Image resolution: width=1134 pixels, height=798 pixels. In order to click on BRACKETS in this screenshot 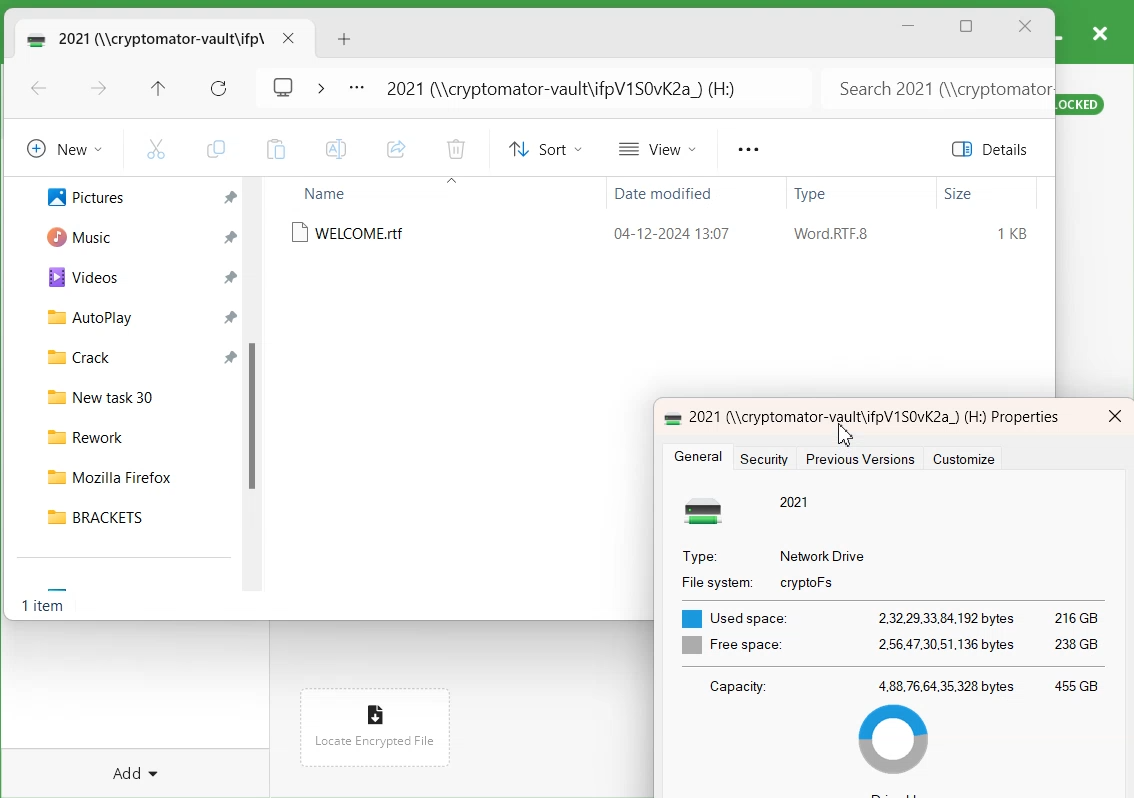, I will do `click(131, 516)`.